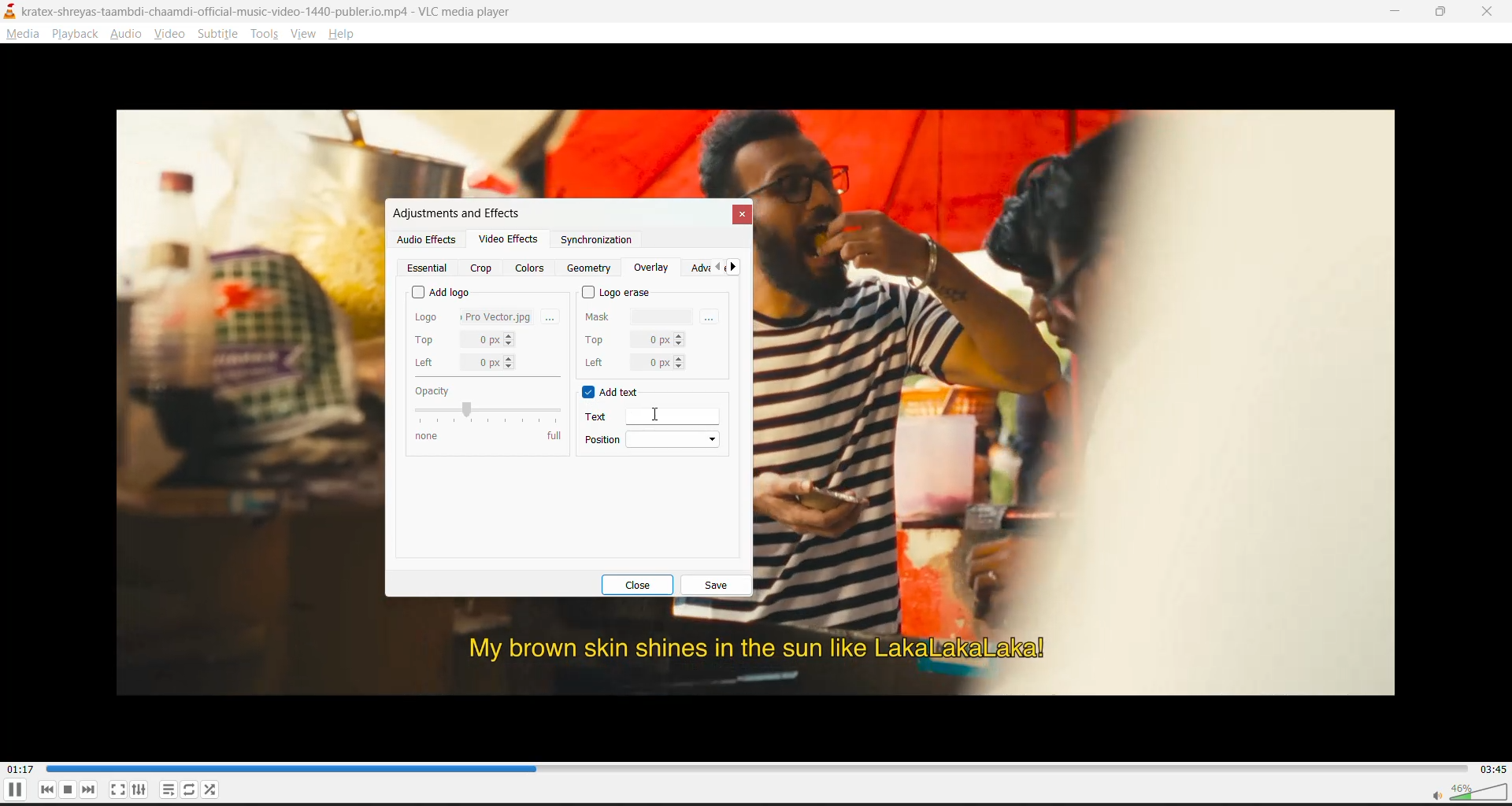  Describe the element at coordinates (644, 585) in the screenshot. I see `close` at that location.